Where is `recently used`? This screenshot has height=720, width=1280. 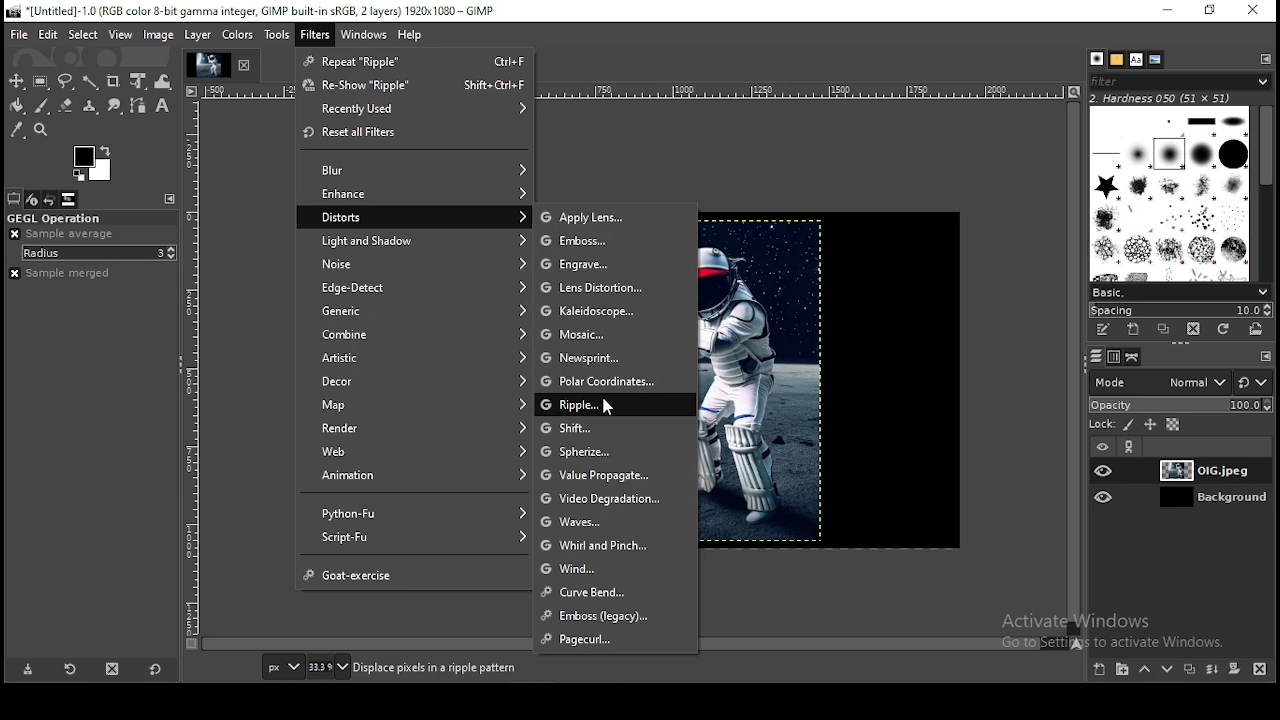 recently used is located at coordinates (418, 109).